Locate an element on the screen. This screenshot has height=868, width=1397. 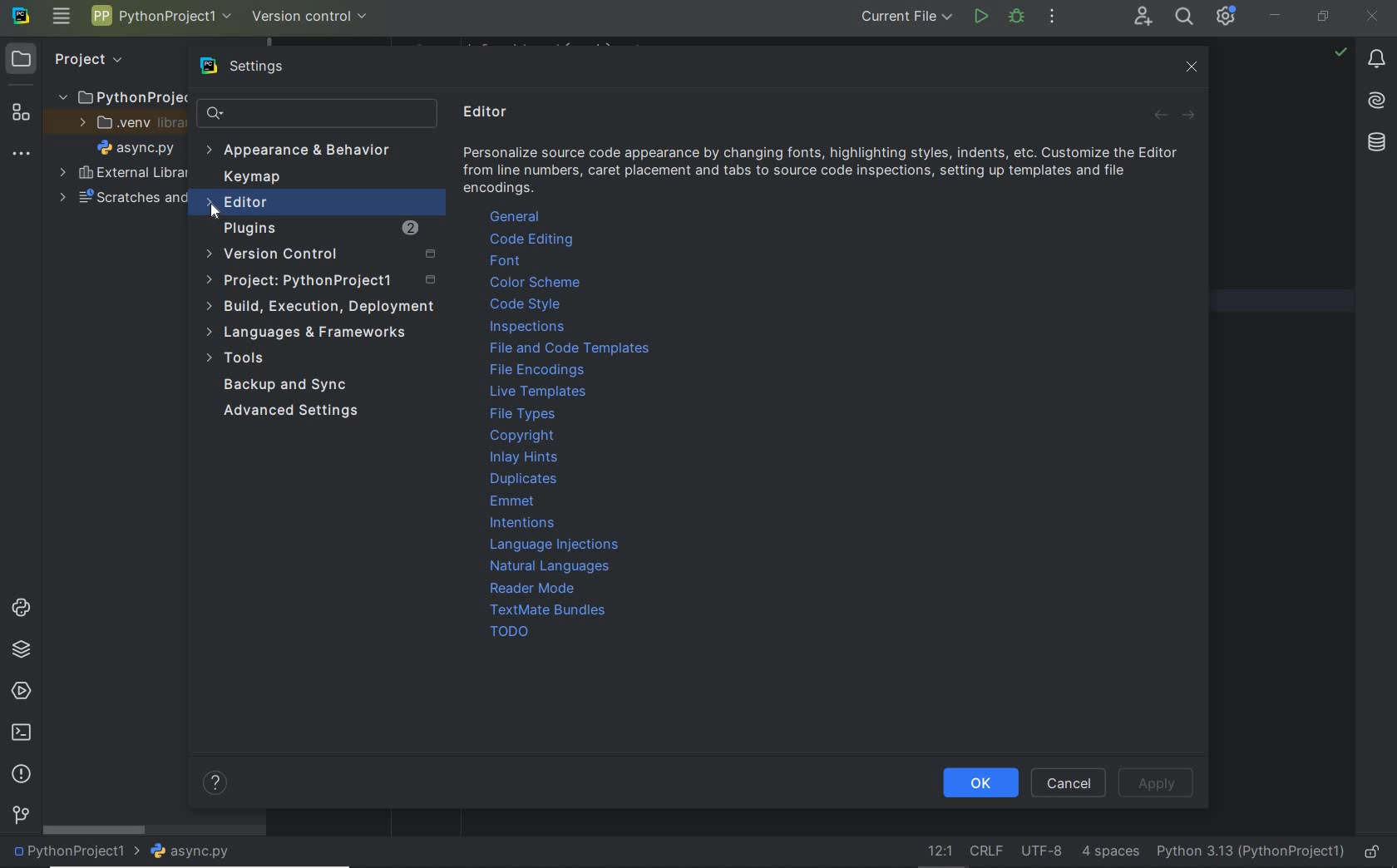
Go to line is located at coordinates (936, 851).